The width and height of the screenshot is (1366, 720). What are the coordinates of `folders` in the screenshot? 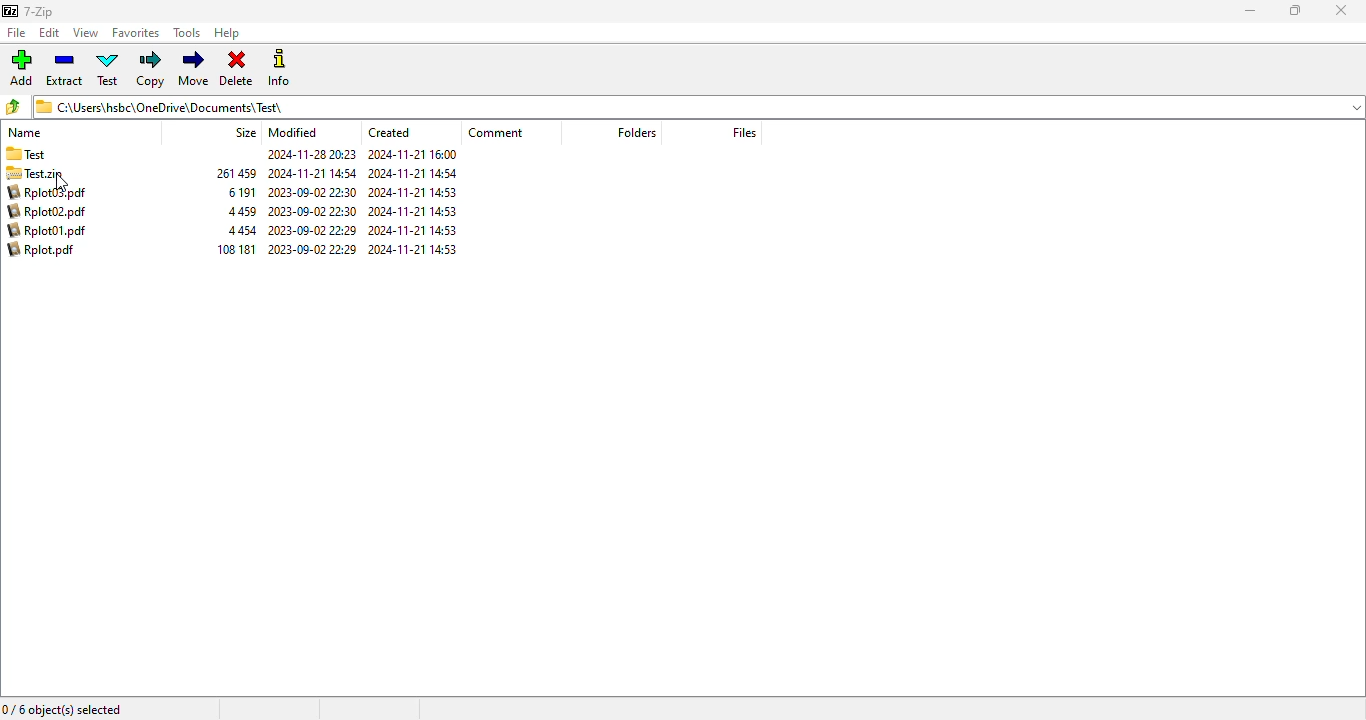 It's located at (635, 132).